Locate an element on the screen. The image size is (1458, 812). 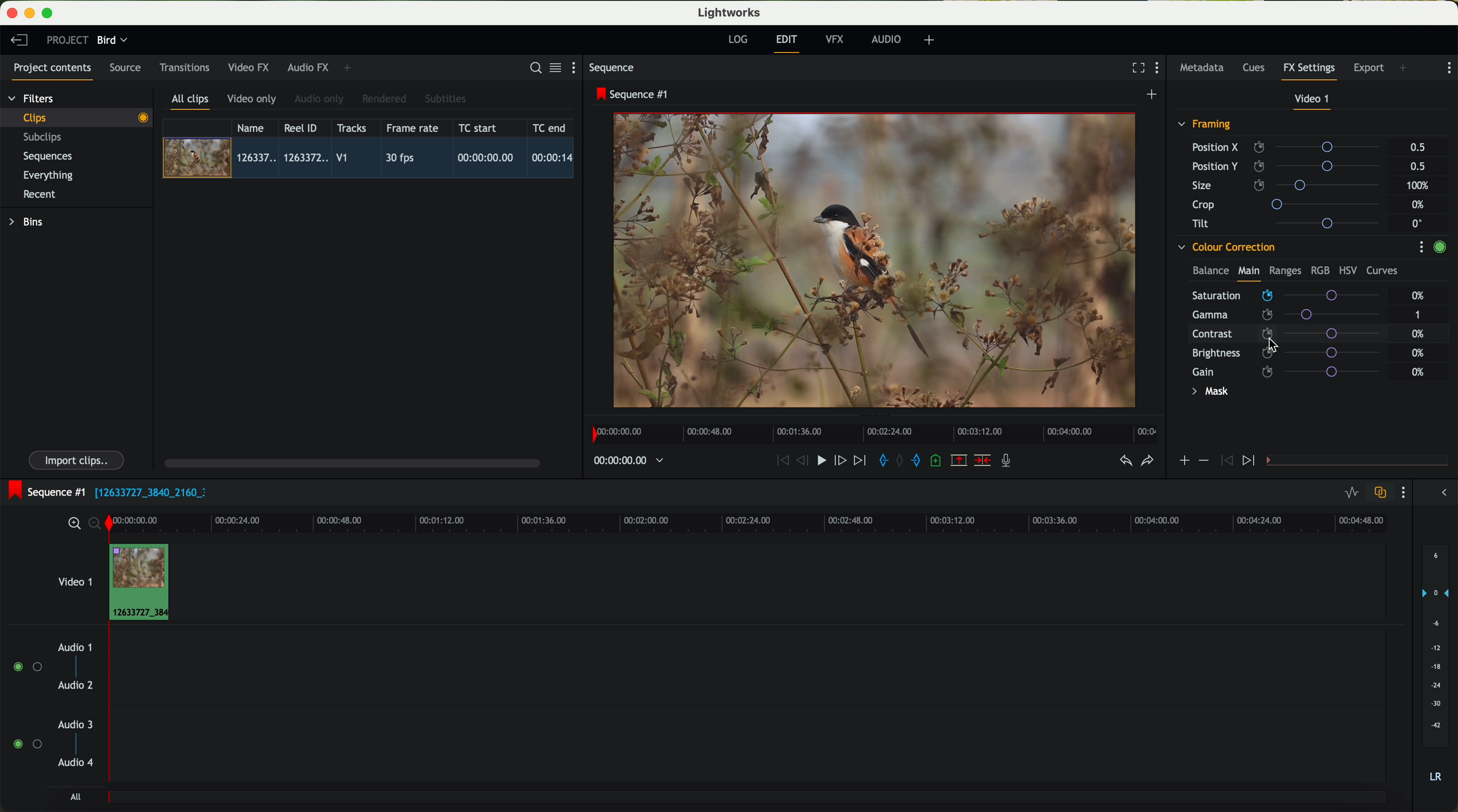
Reel ID is located at coordinates (303, 127).